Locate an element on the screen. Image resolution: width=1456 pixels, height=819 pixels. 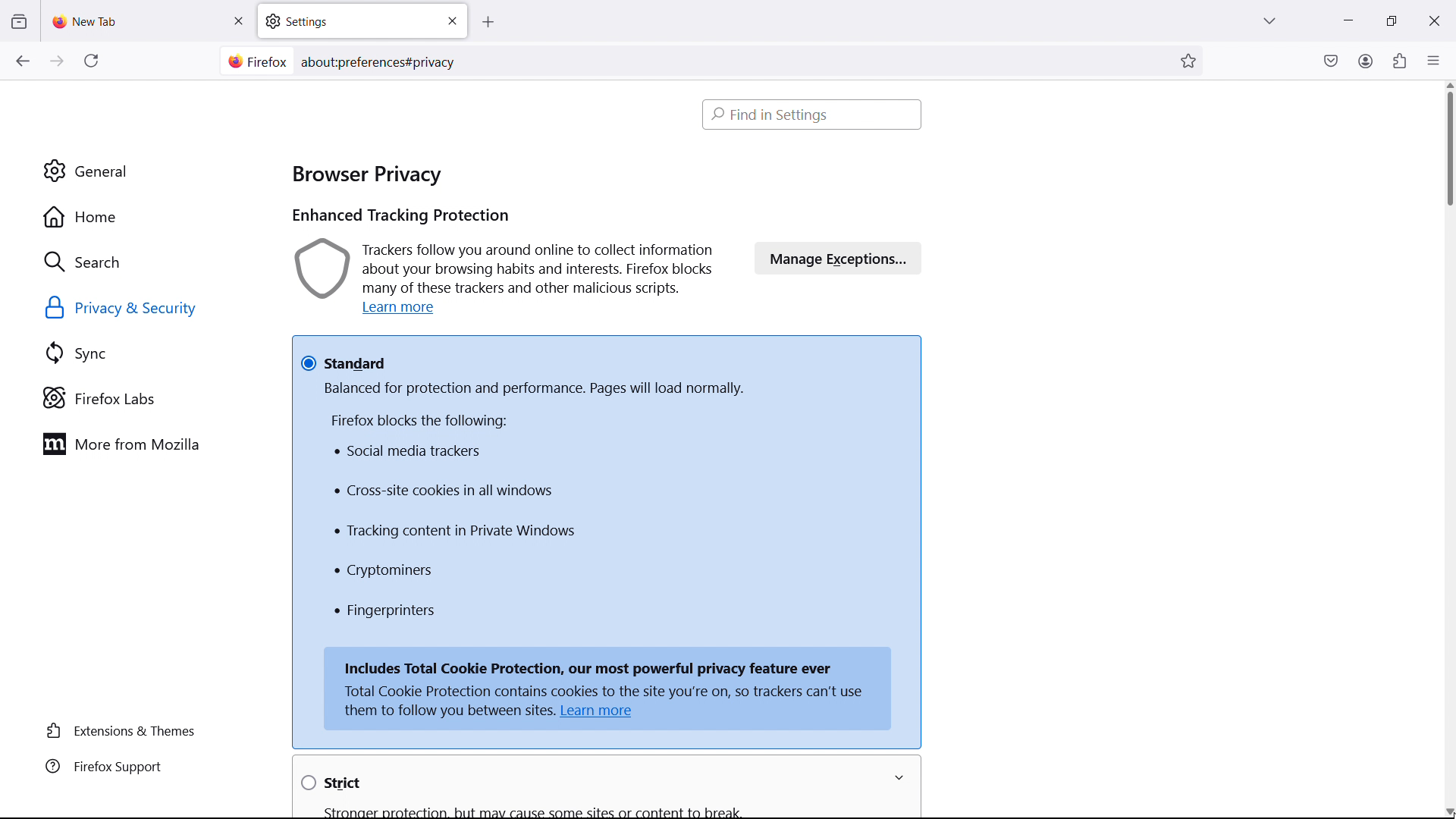
browser privacy is located at coordinates (366, 171).